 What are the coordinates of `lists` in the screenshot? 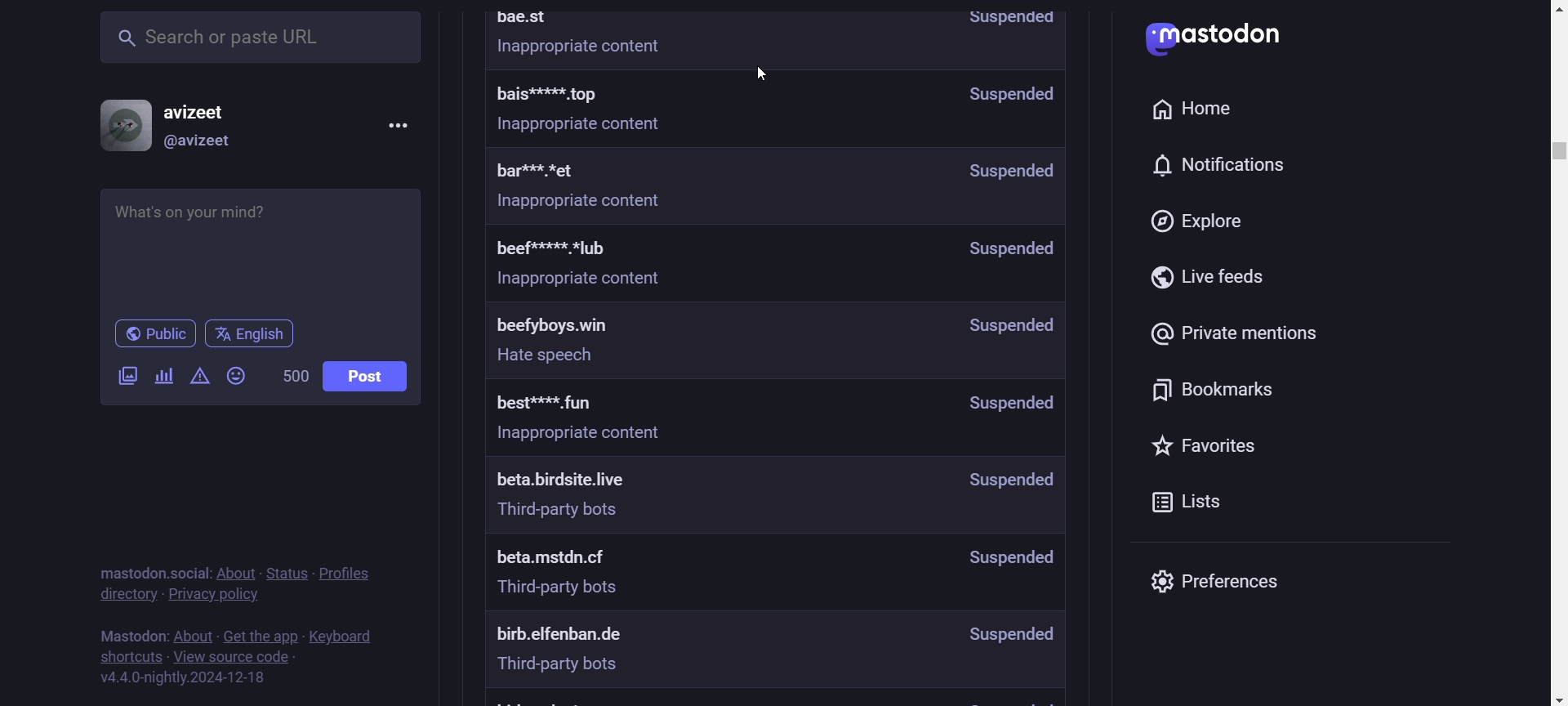 It's located at (1143, 504).